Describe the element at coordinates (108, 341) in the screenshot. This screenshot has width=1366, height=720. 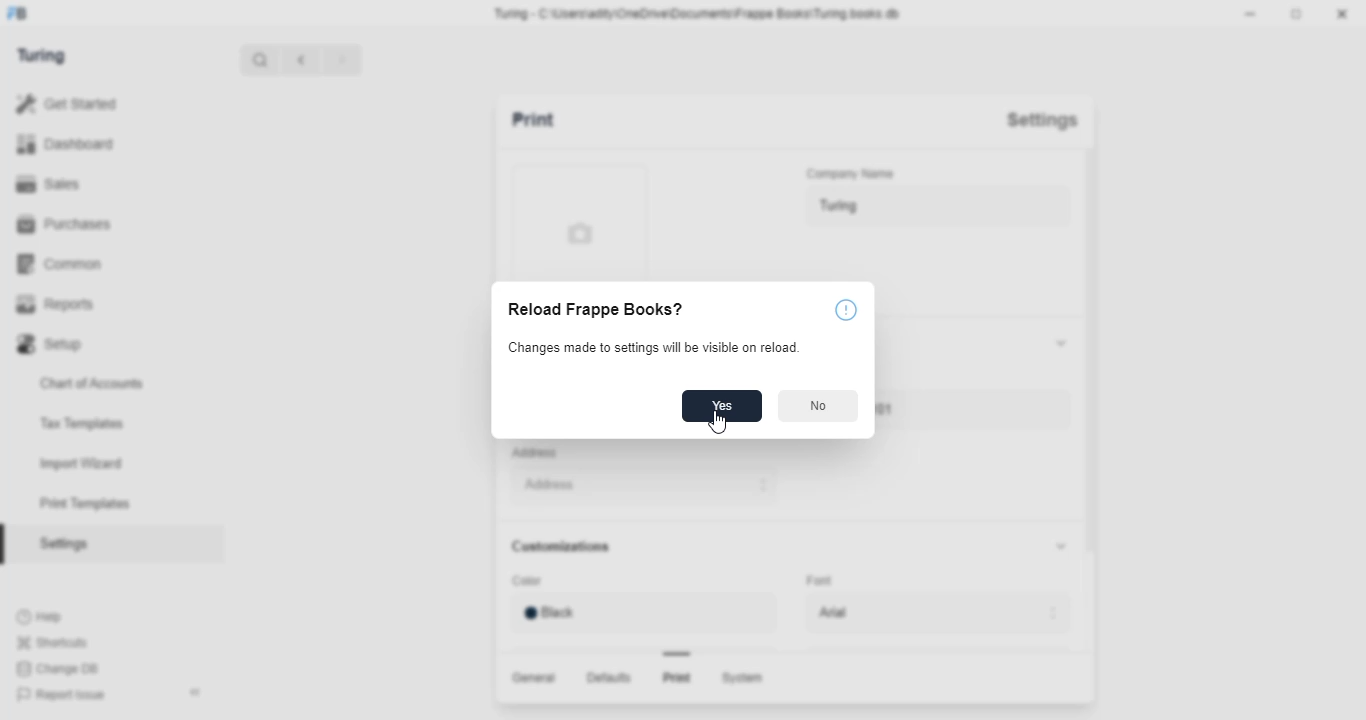
I see `Setup` at that location.